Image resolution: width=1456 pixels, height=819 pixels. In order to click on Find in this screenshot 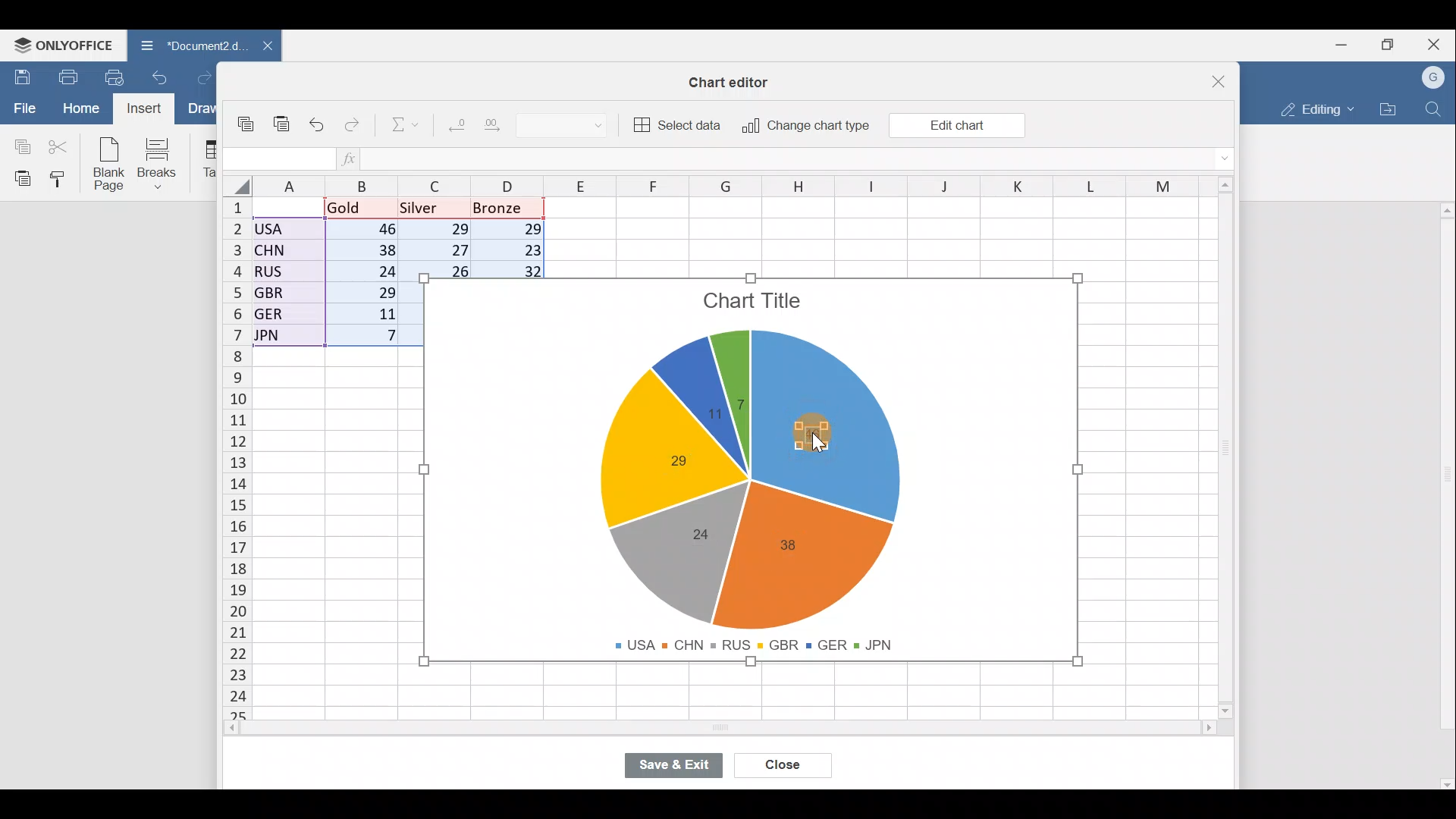, I will do `click(1436, 106)`.